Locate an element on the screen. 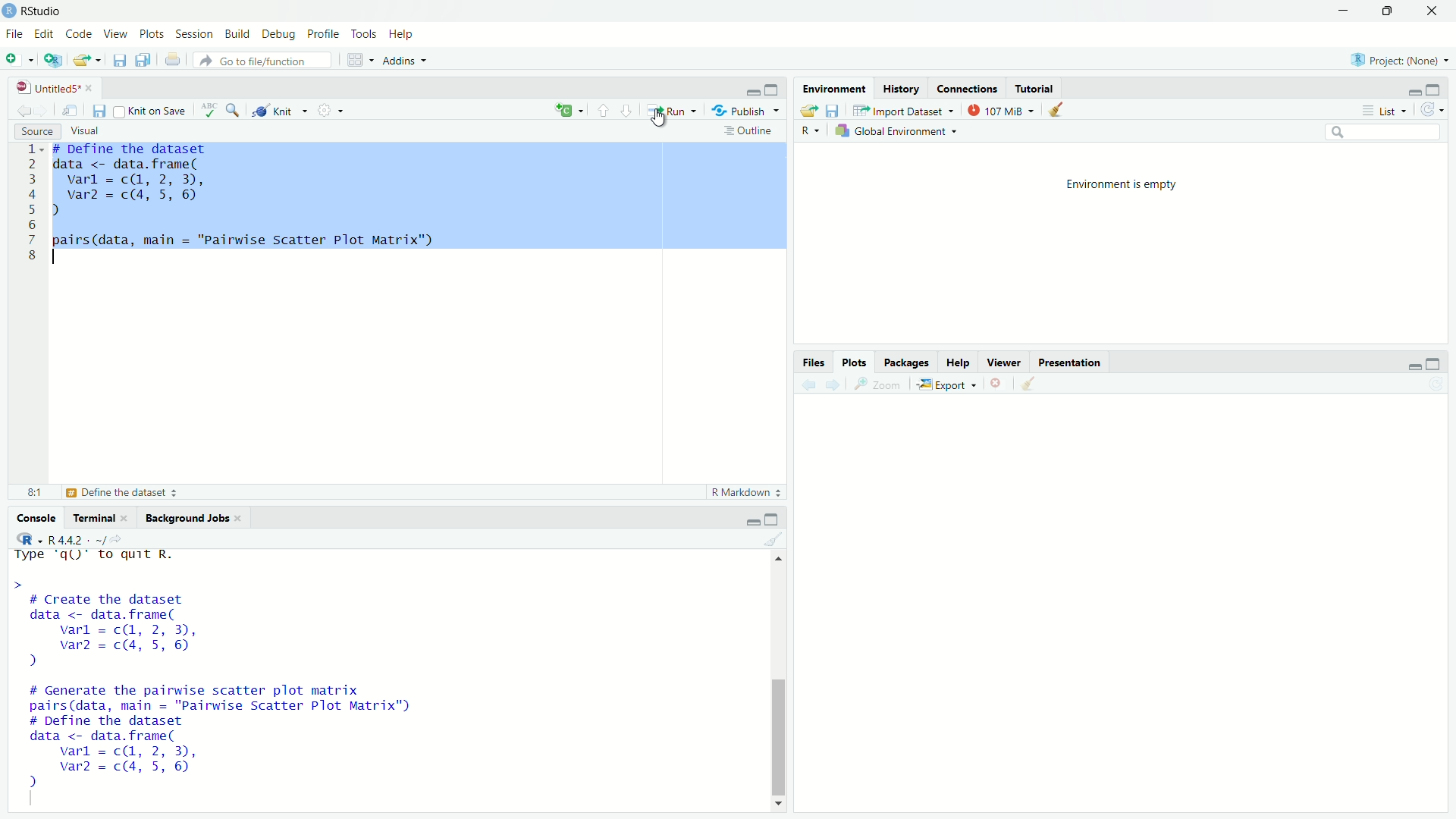  Minimize is located at coordinates (1414, 366).